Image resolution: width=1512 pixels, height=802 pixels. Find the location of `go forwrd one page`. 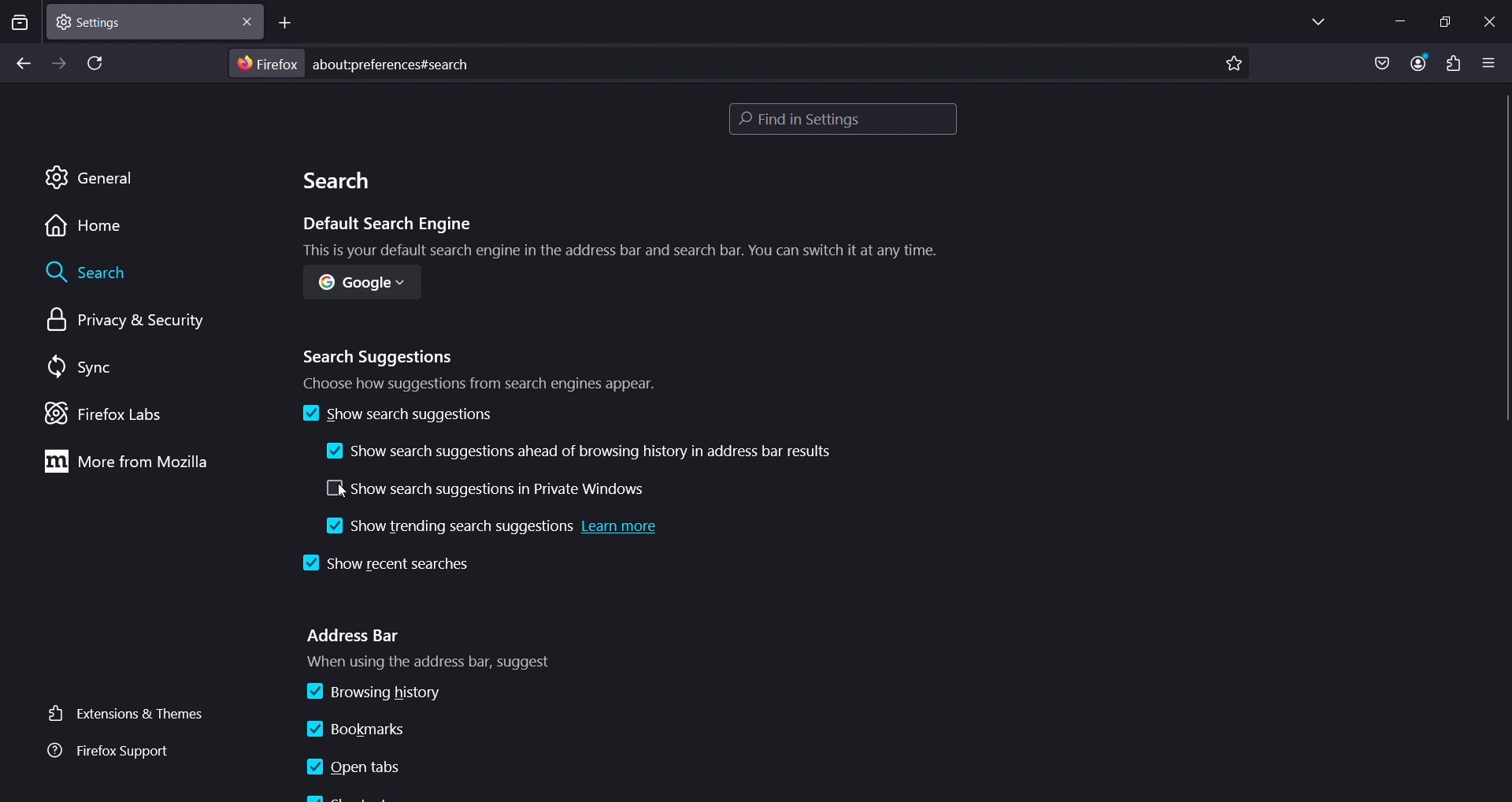

go forwrd one page is located at coordinates (58, 62).